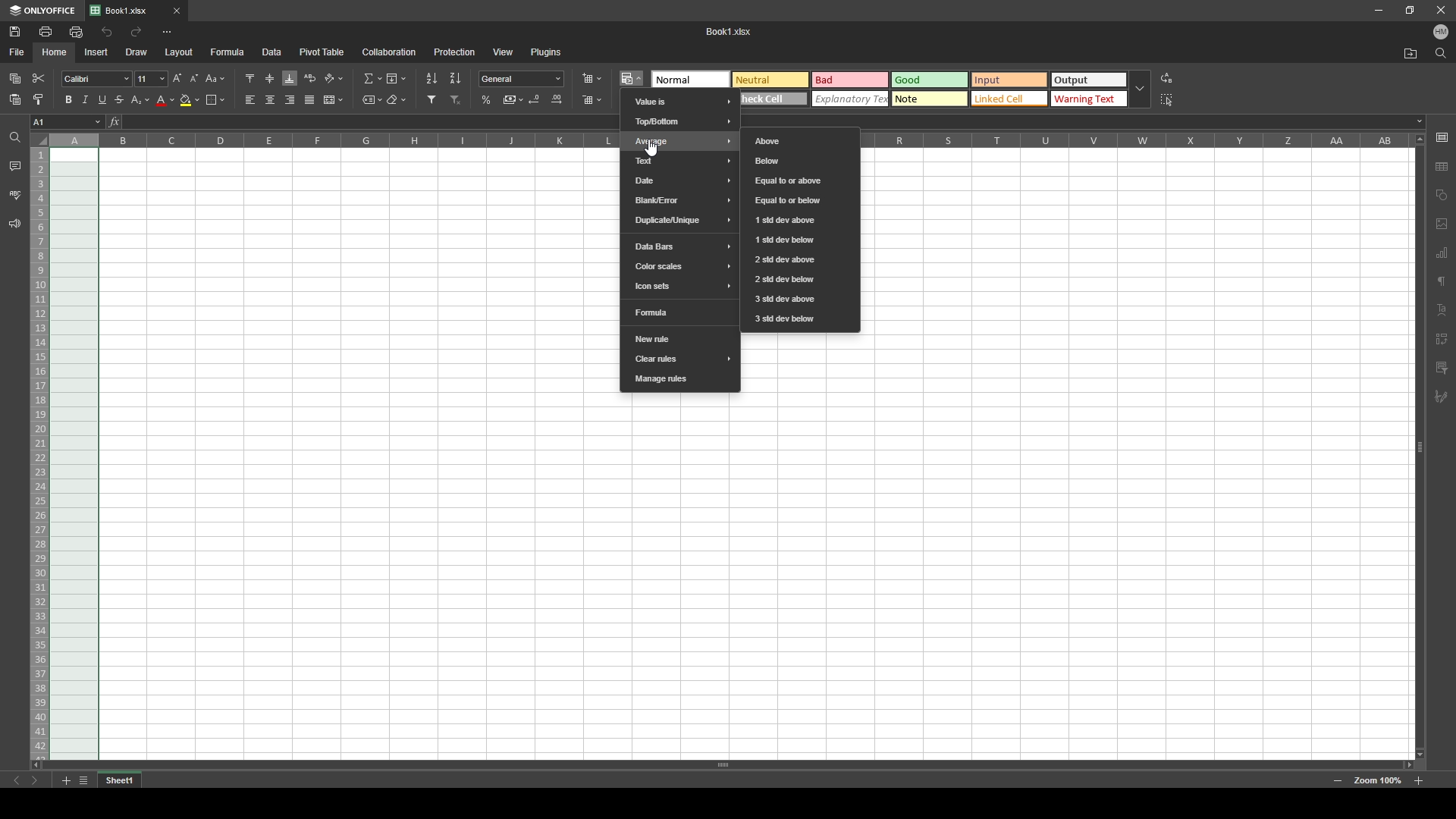 The image size is (1456, 819). I want to click on align center, so click(271, 99).